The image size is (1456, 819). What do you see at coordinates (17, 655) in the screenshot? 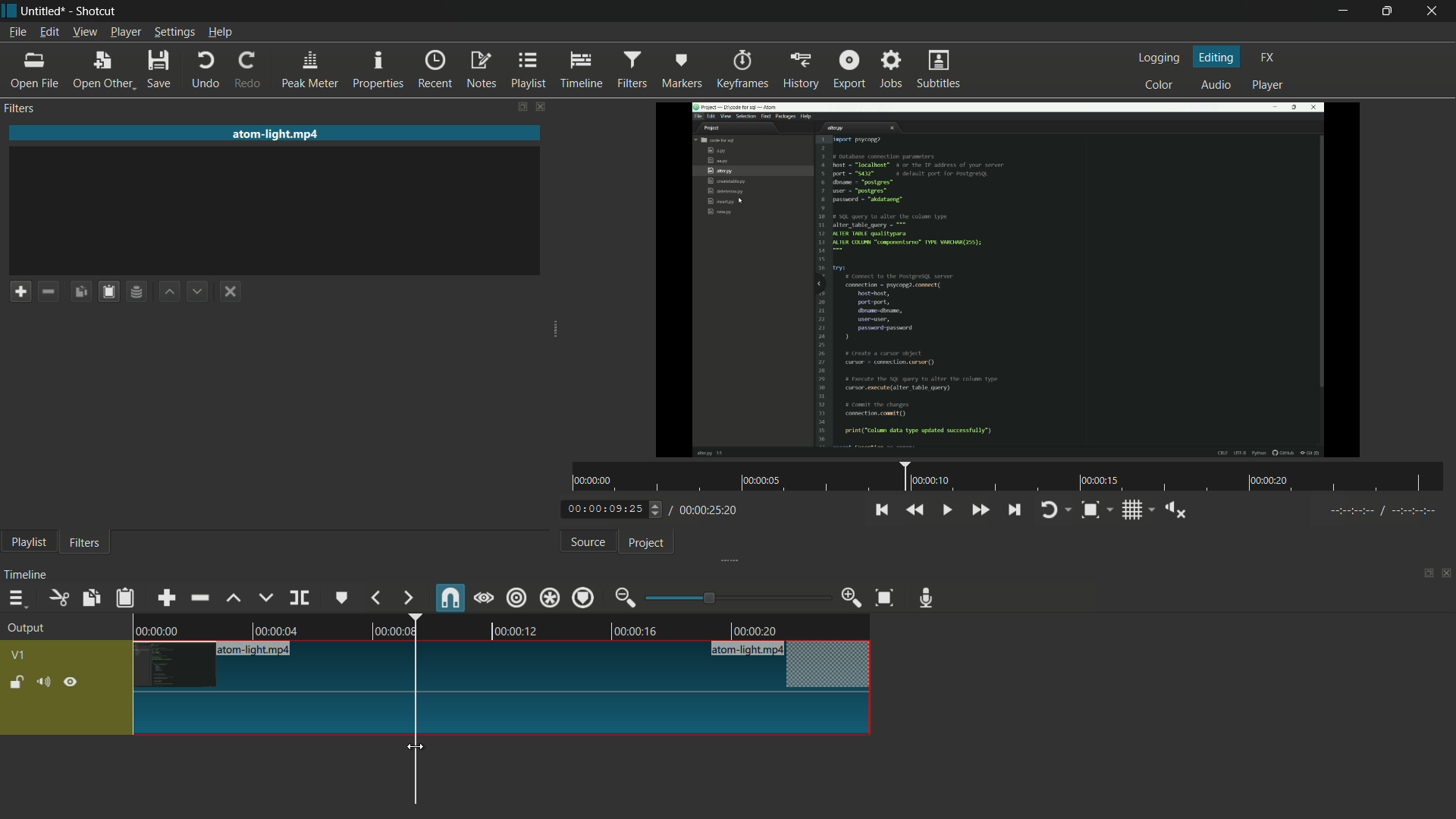
I see `v1` at bounding box center [17, 655].